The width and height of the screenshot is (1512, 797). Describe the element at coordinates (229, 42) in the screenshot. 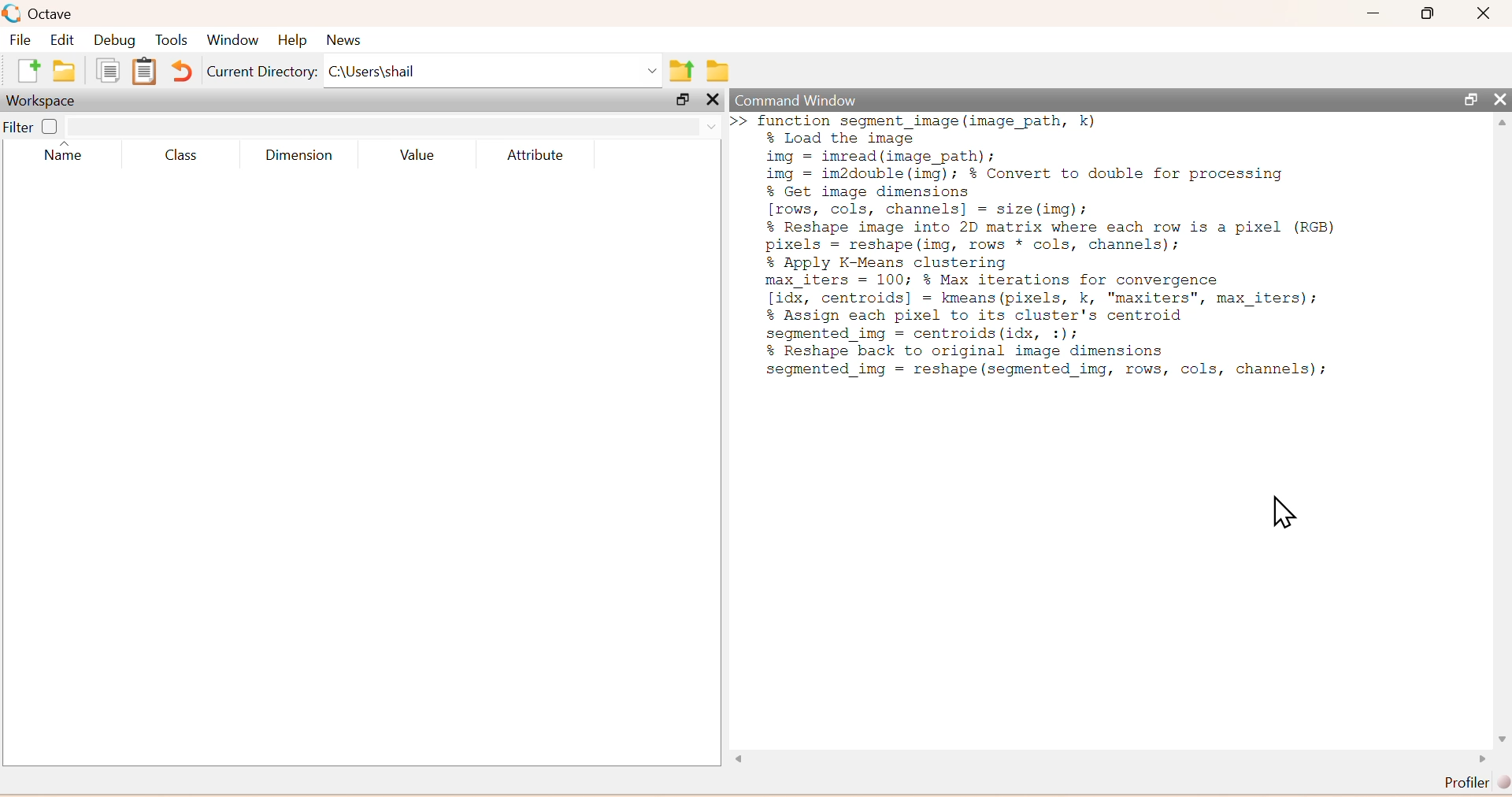

I see `Window` at that location.